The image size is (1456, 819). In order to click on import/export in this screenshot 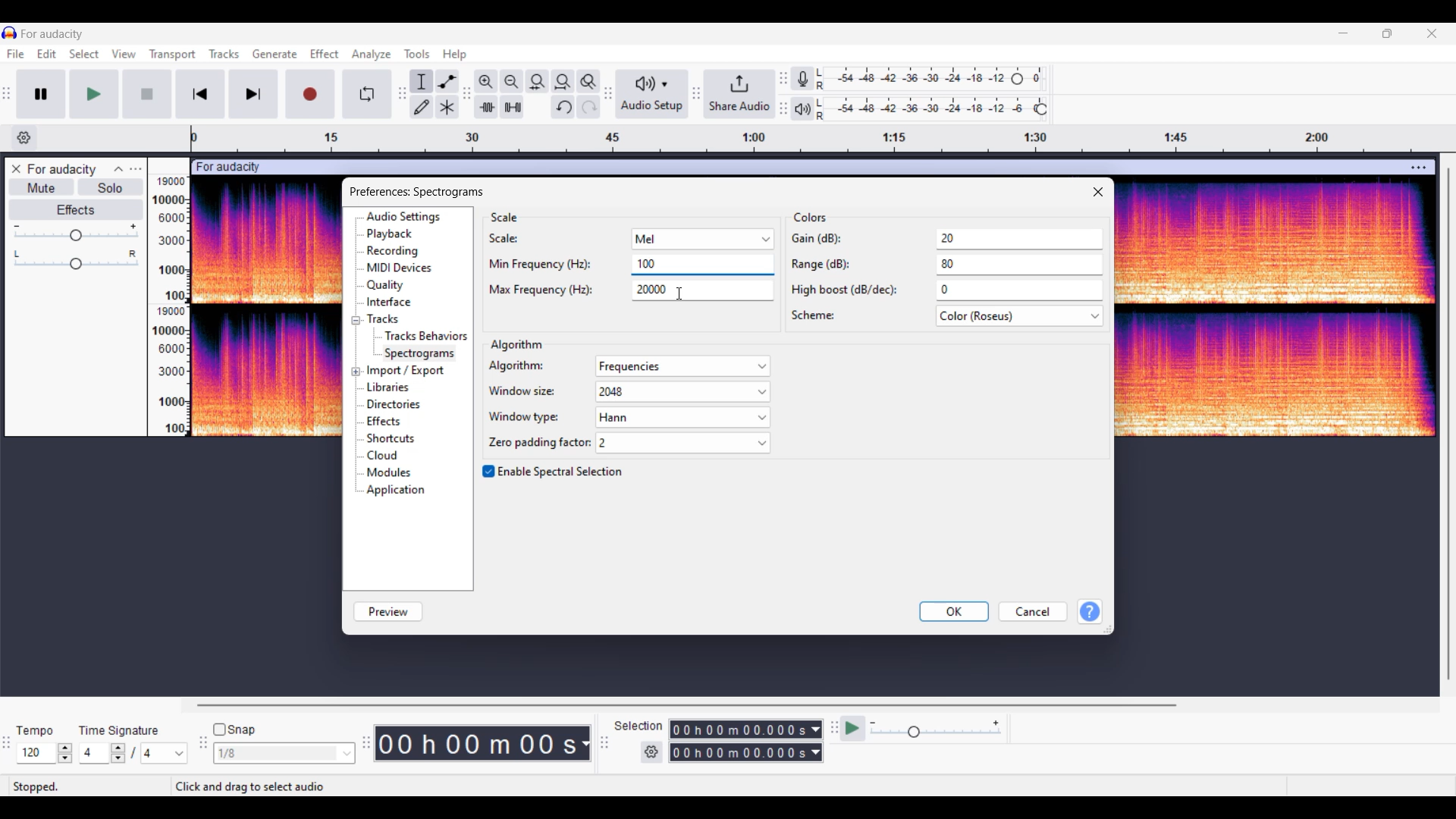, I will do `click(409, 369)`.